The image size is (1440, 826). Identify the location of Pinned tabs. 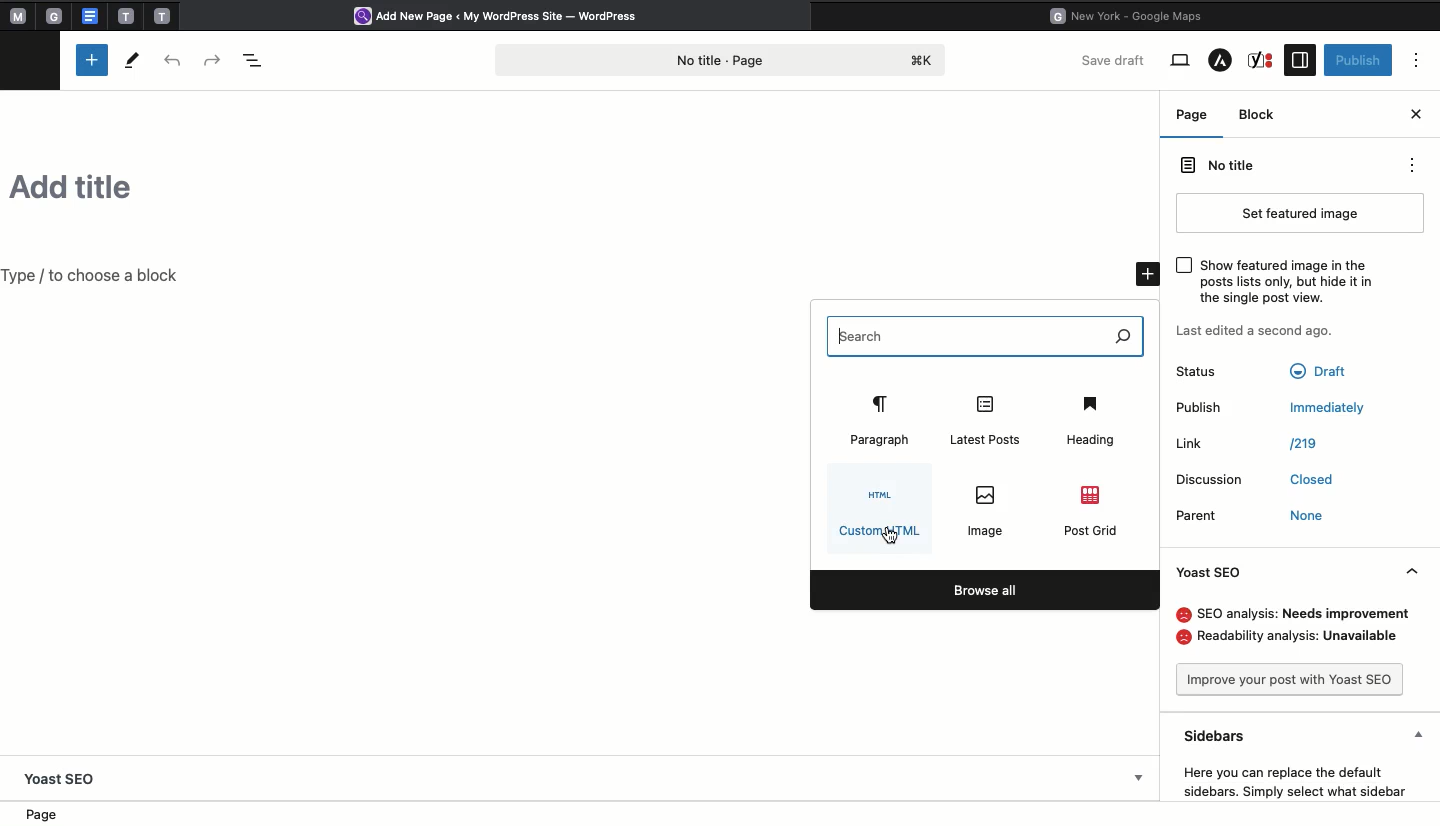
(15, 17).